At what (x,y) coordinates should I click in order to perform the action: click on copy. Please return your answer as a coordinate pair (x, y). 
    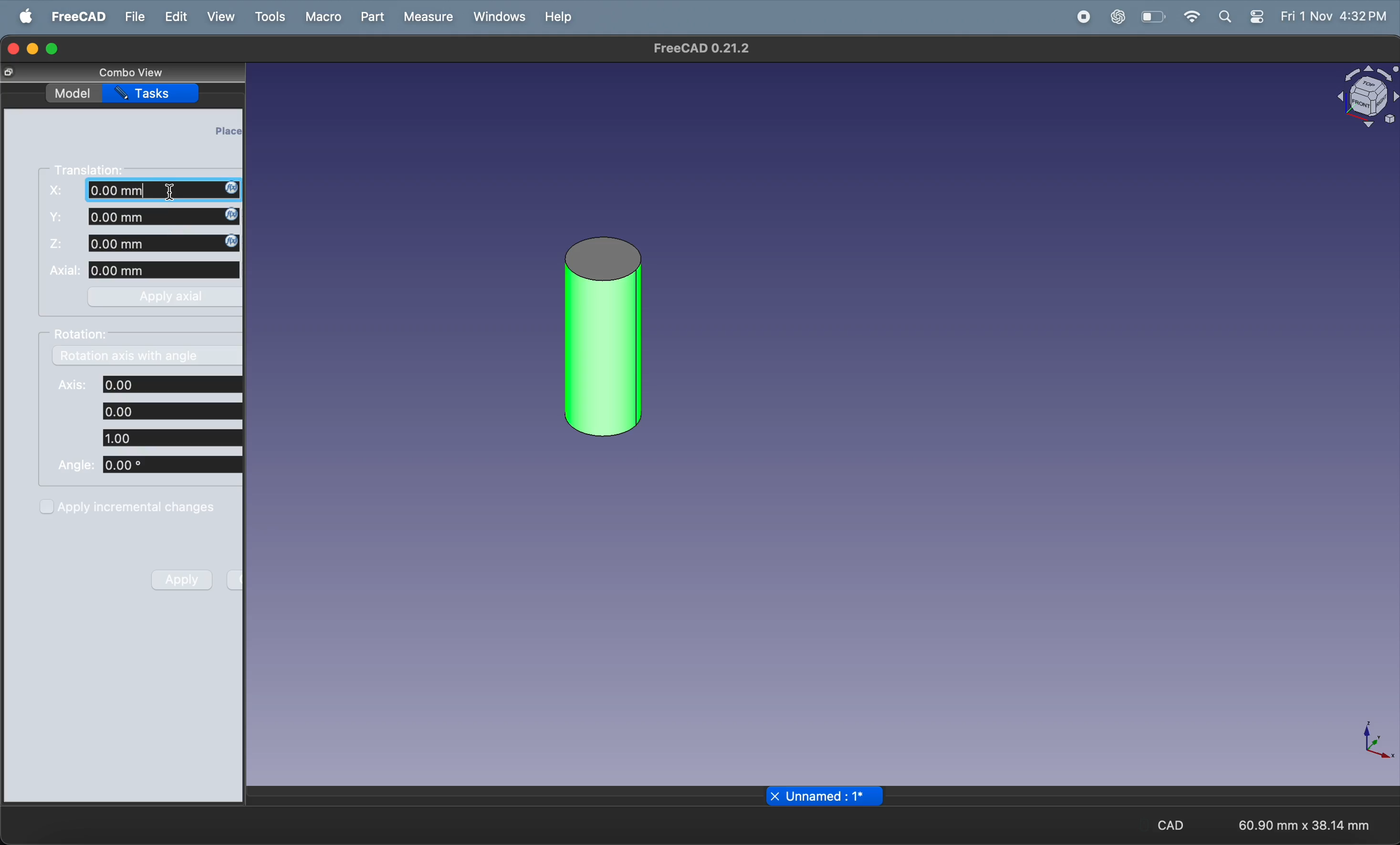
    Looking at the image, I should click on (8, 73).